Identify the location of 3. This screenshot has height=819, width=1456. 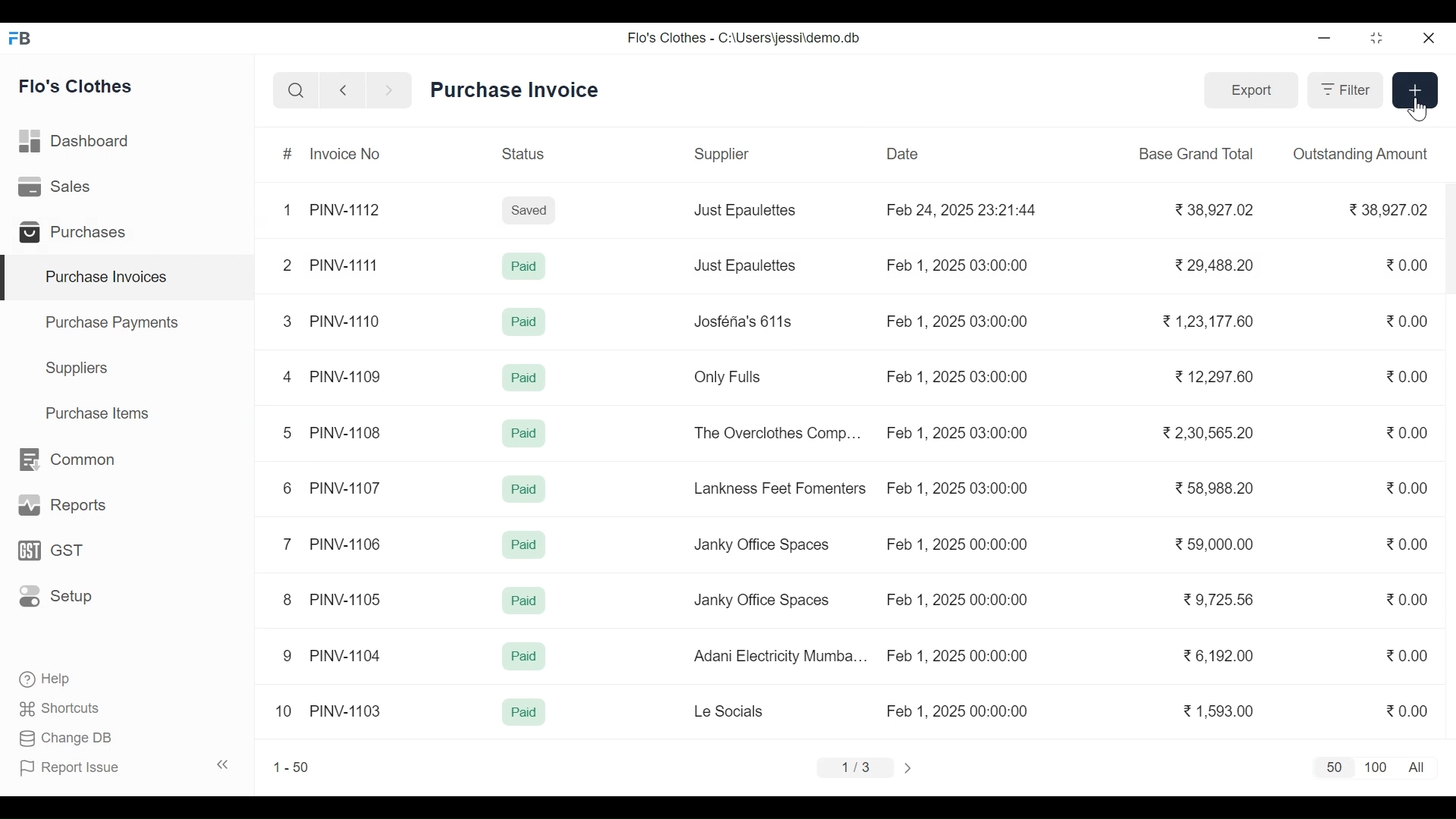
(289, 320).